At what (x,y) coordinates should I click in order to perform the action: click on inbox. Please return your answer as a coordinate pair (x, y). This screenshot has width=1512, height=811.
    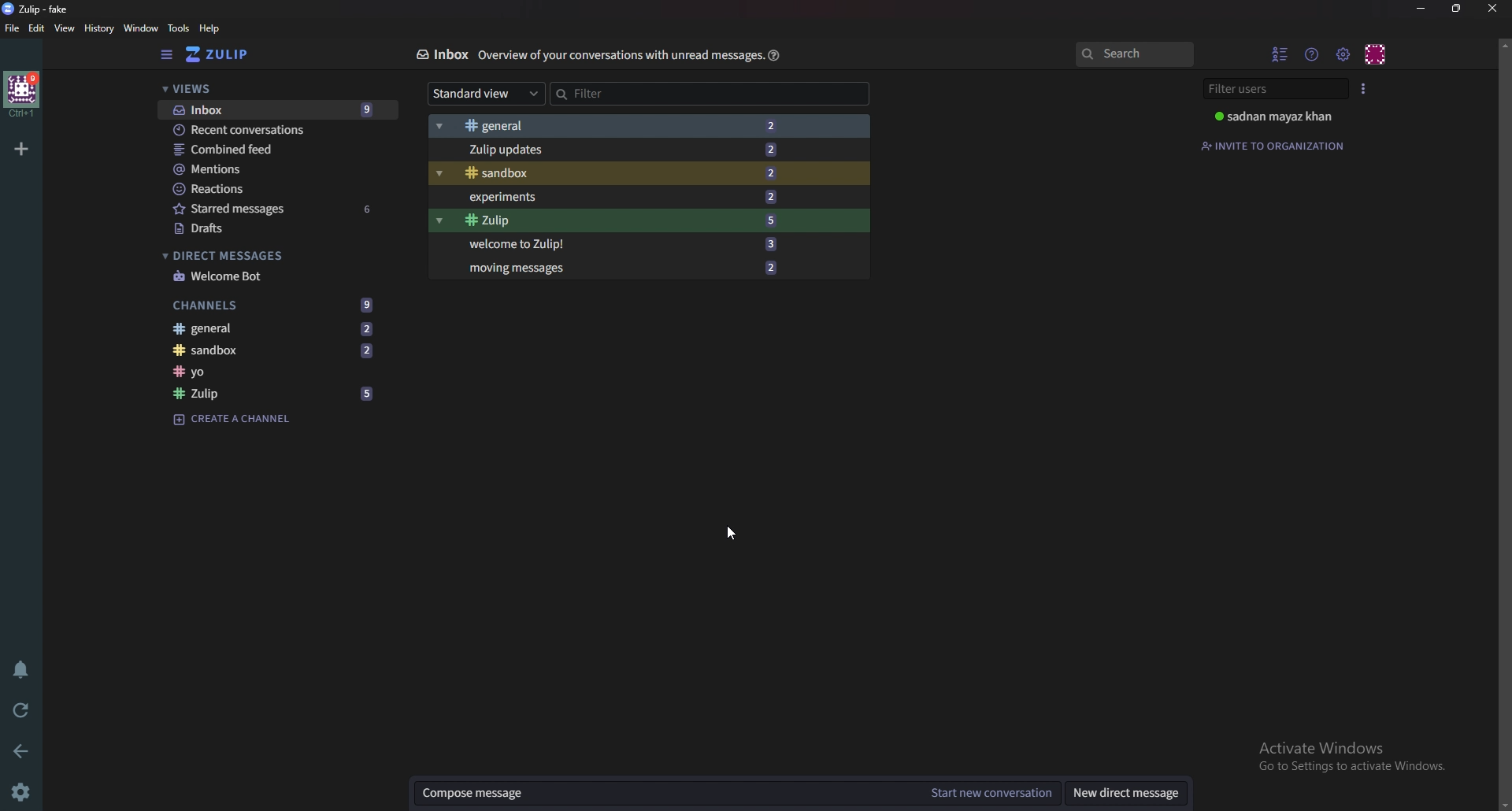
    Looking at the image, I should click on (276, 111).